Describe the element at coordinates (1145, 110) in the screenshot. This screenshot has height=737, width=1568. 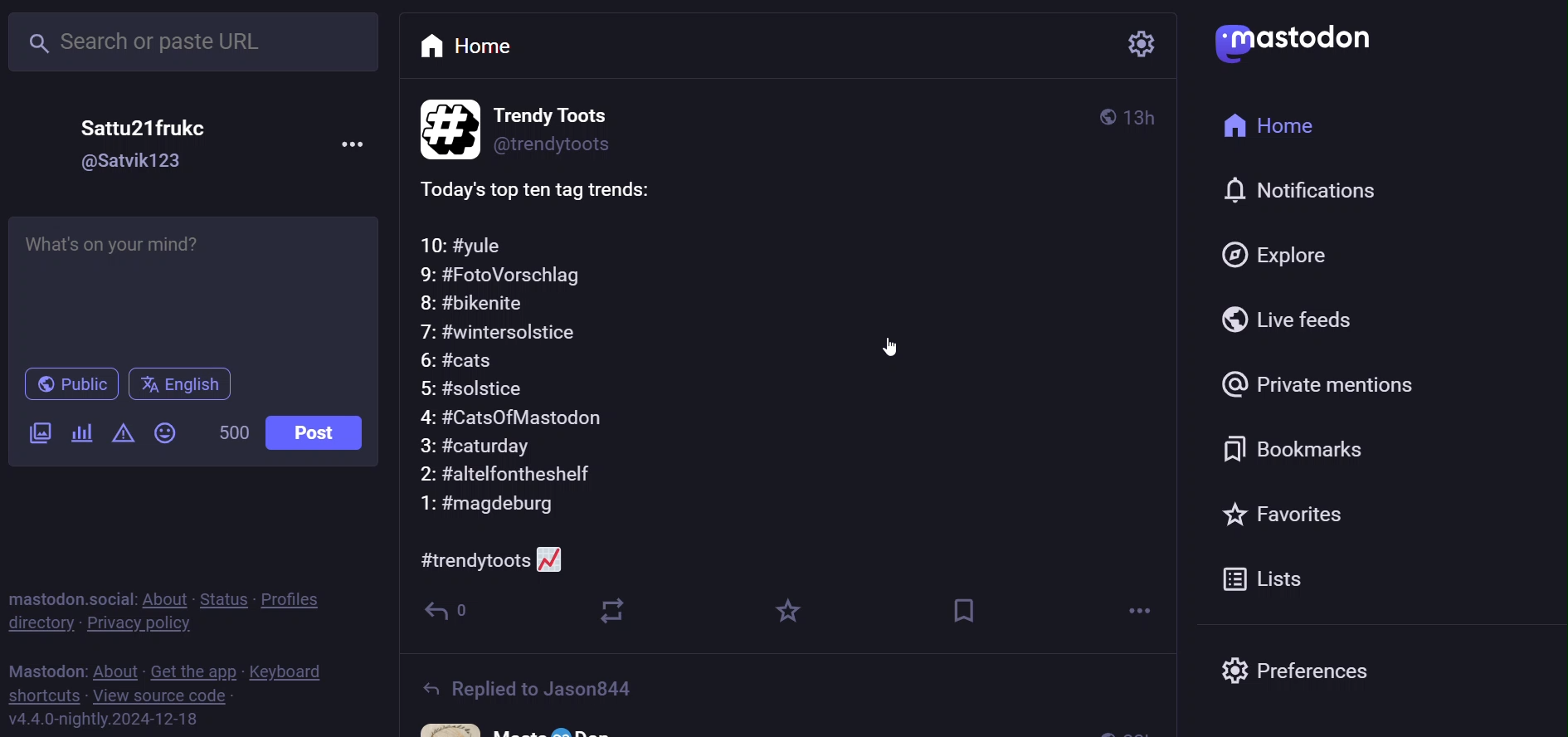
I see `13h` at that location.